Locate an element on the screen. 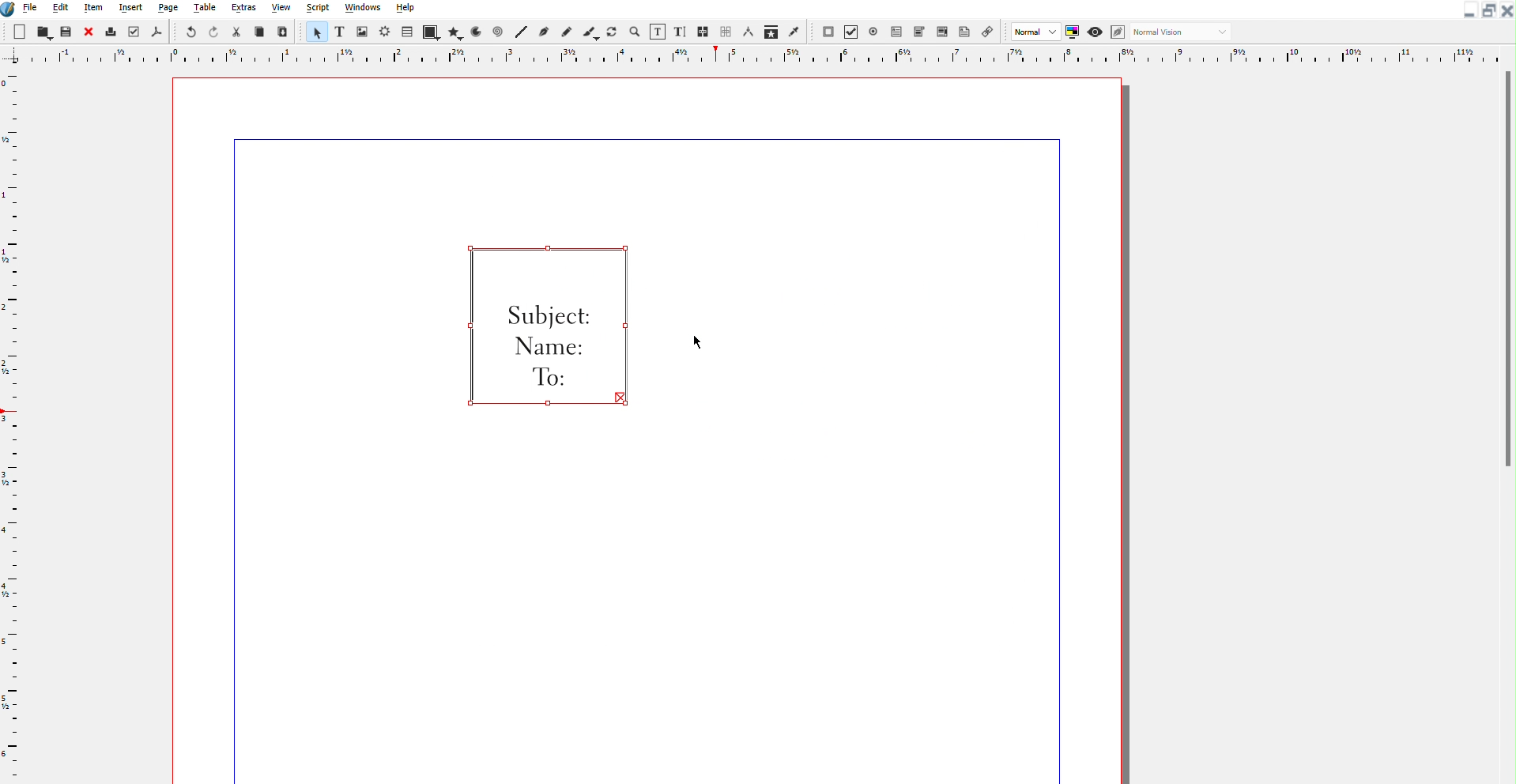 The width and height of the screenshot is (1516, 784). Maximize is located at coordinates (1486, 10).